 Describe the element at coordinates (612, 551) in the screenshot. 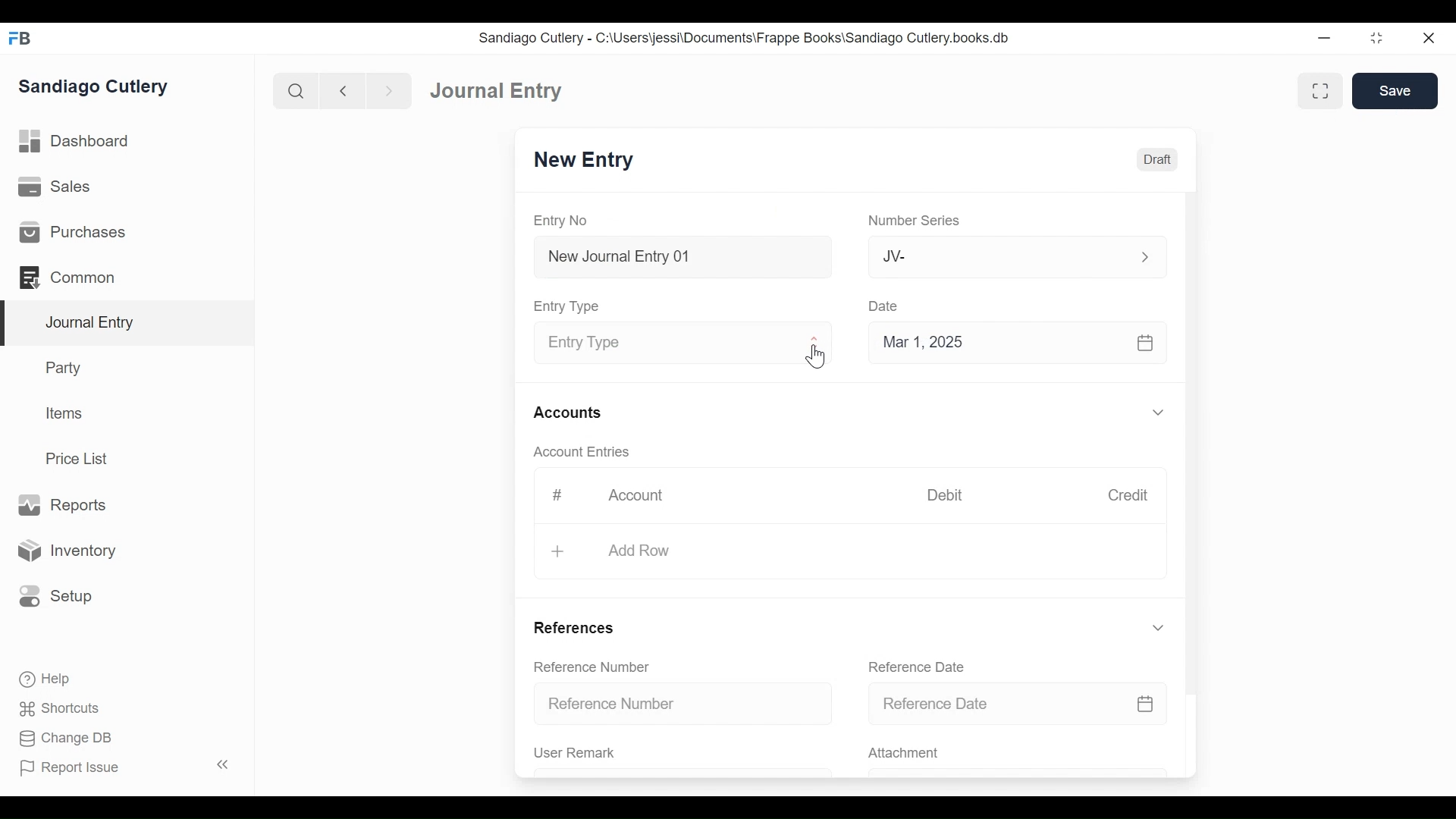

I see `Add Row` at that location.